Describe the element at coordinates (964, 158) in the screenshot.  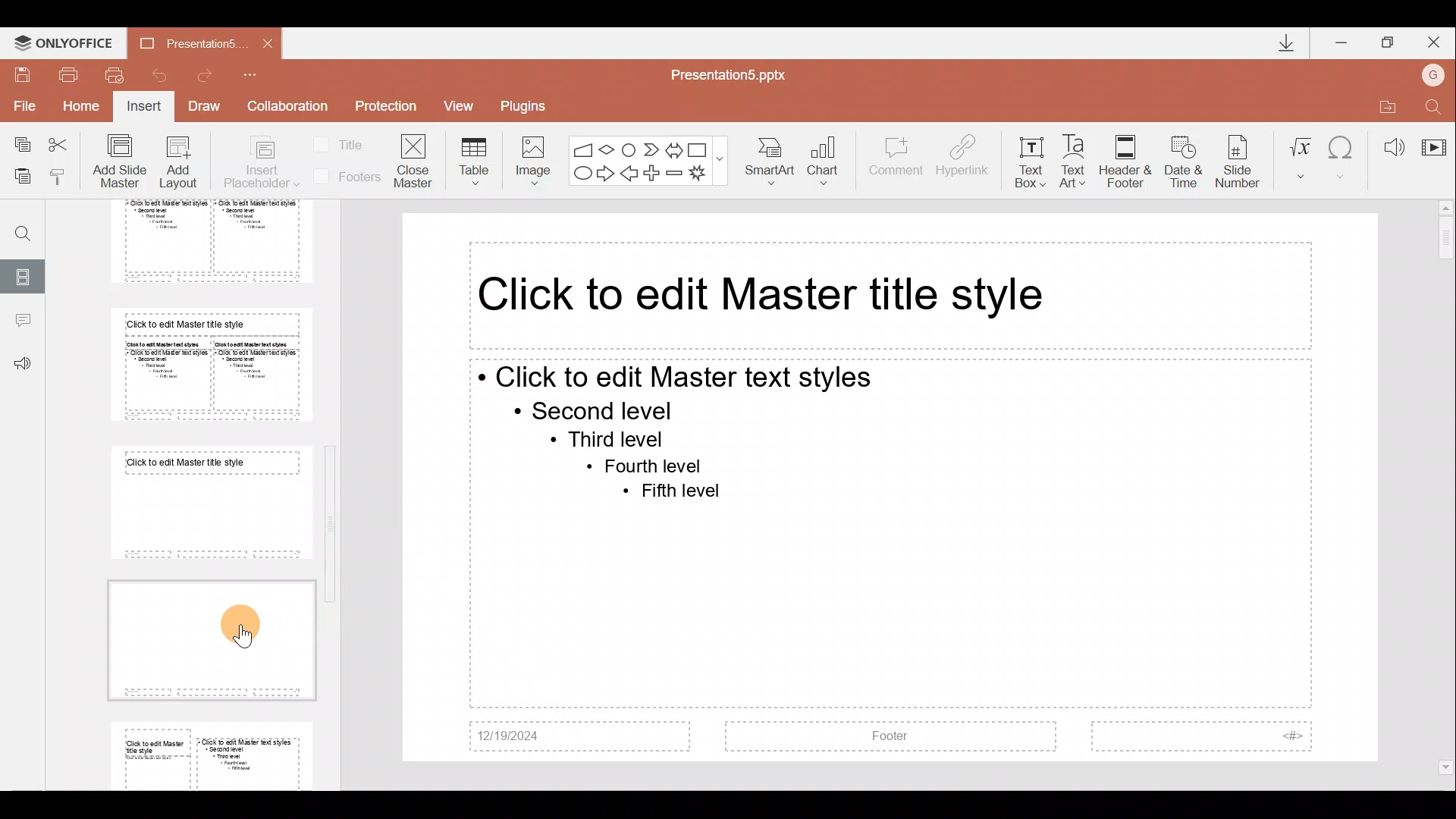
I see `Hyperlink` at that location.